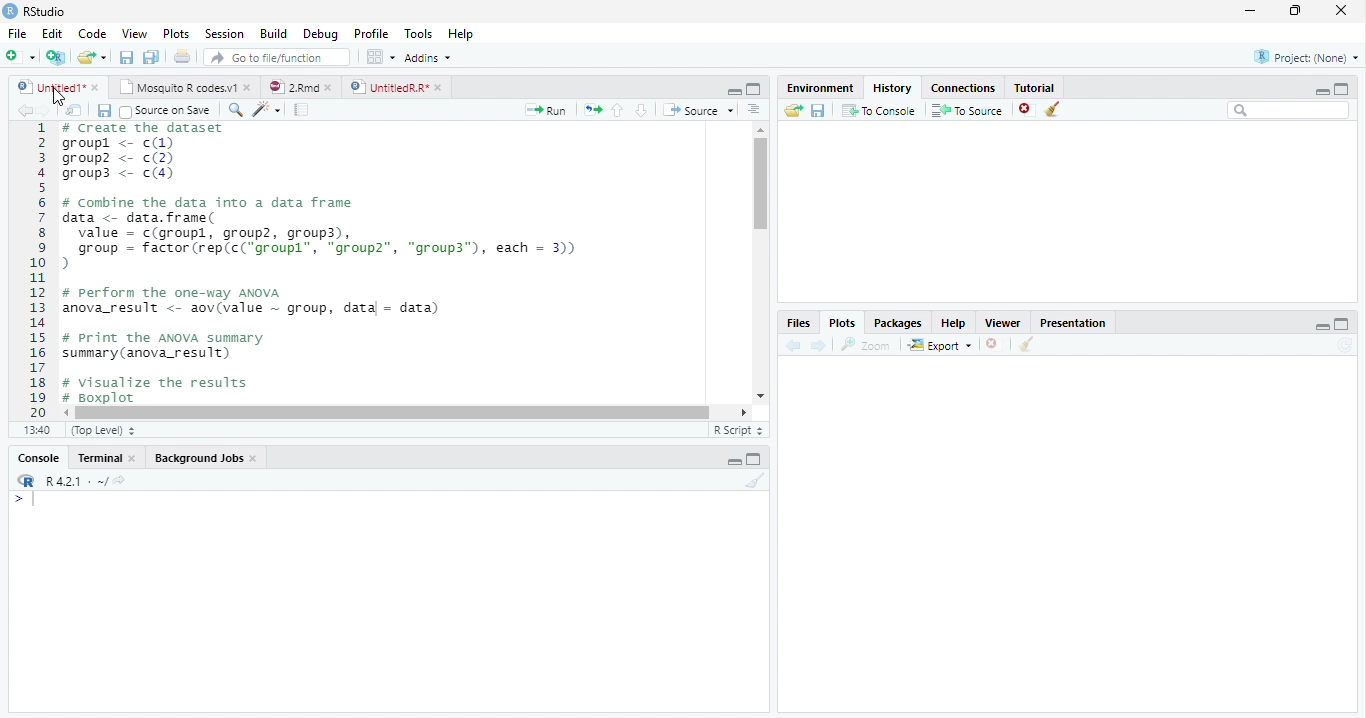  What do you see at coordinates (841, 323) in the screenshot?
I see `Plots` at bounding box center [841, 323].